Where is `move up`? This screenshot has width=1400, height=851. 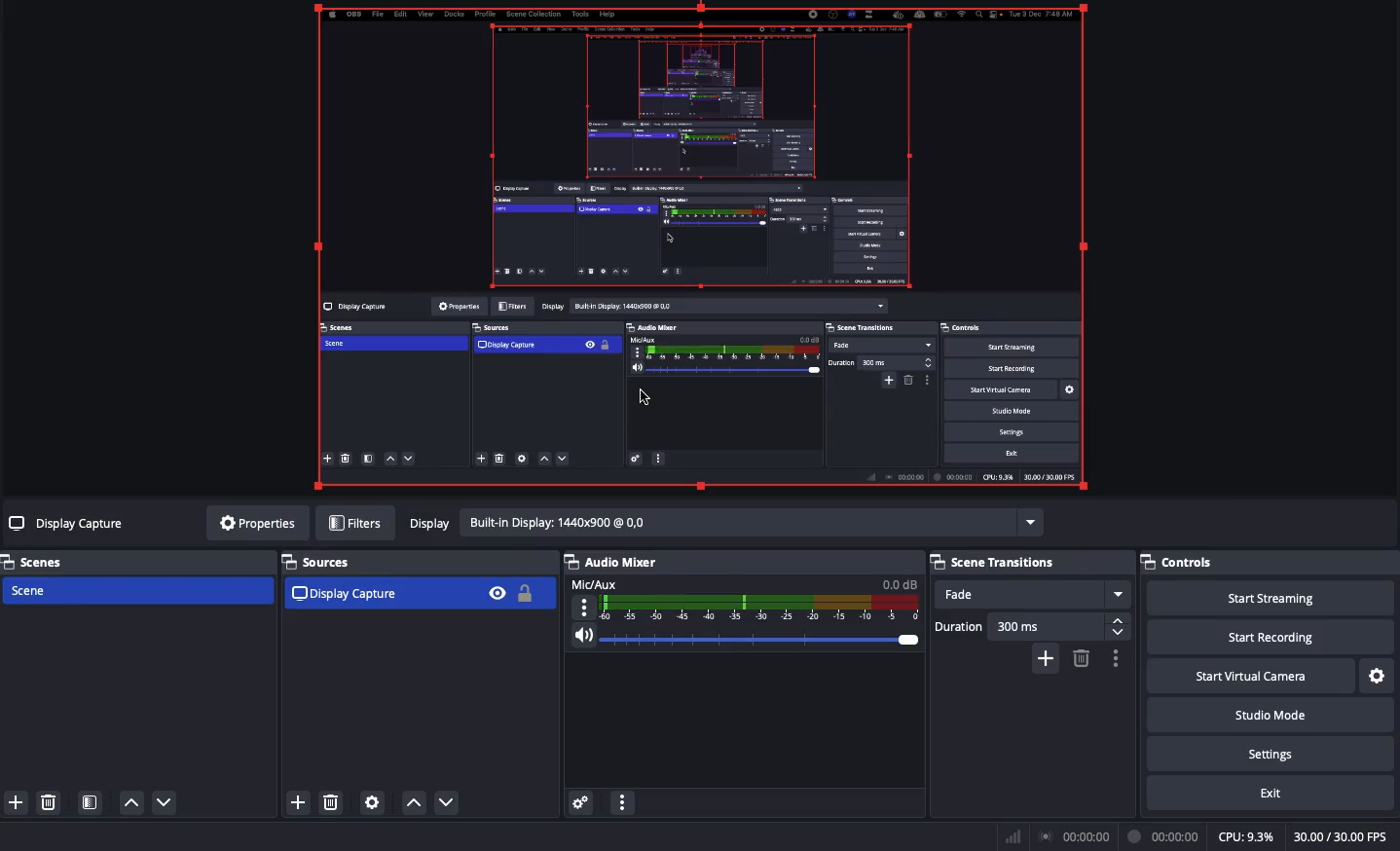
move up is located at coordinates (410, 805).